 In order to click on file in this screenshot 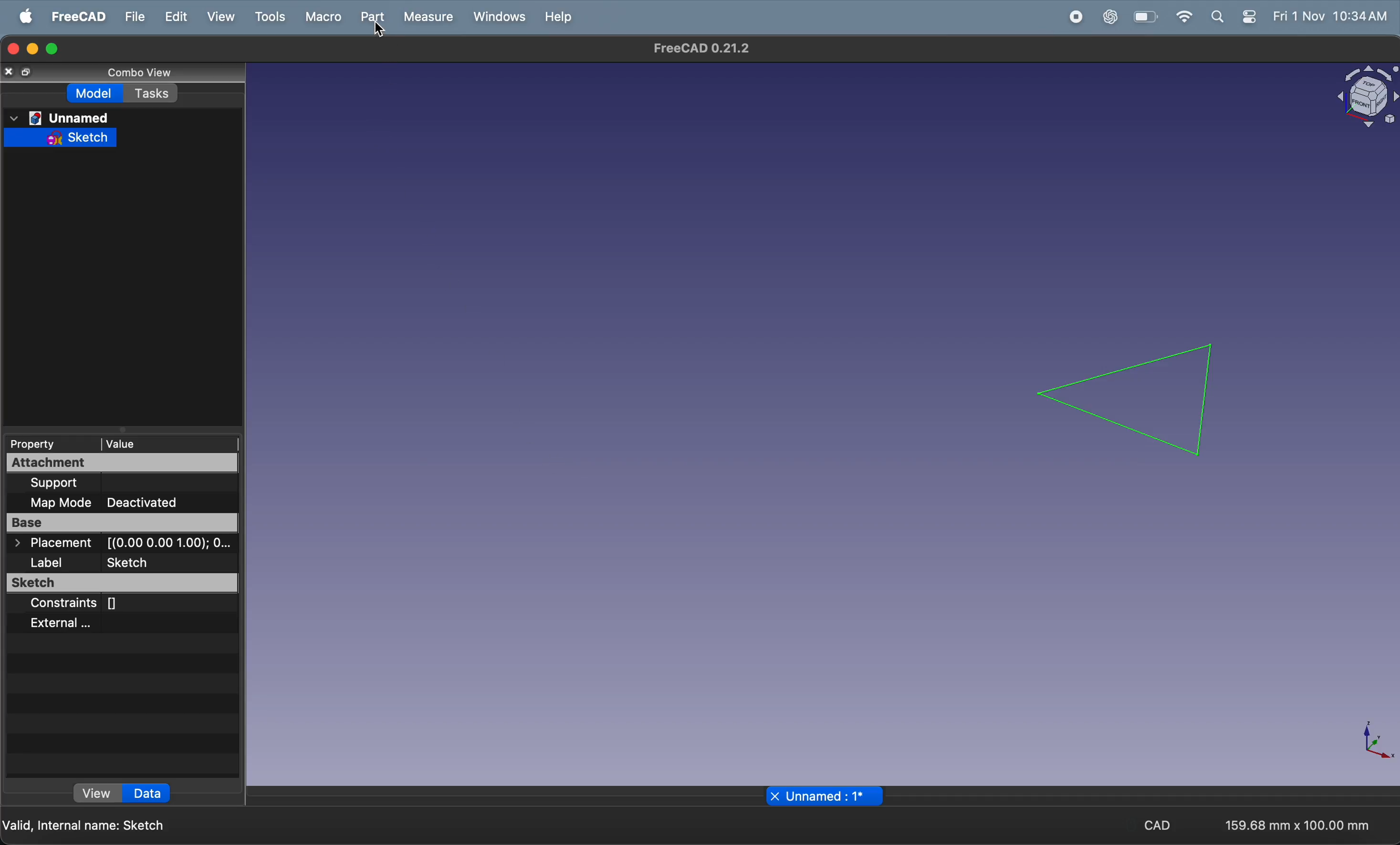, I will do `click(134, 16)`.